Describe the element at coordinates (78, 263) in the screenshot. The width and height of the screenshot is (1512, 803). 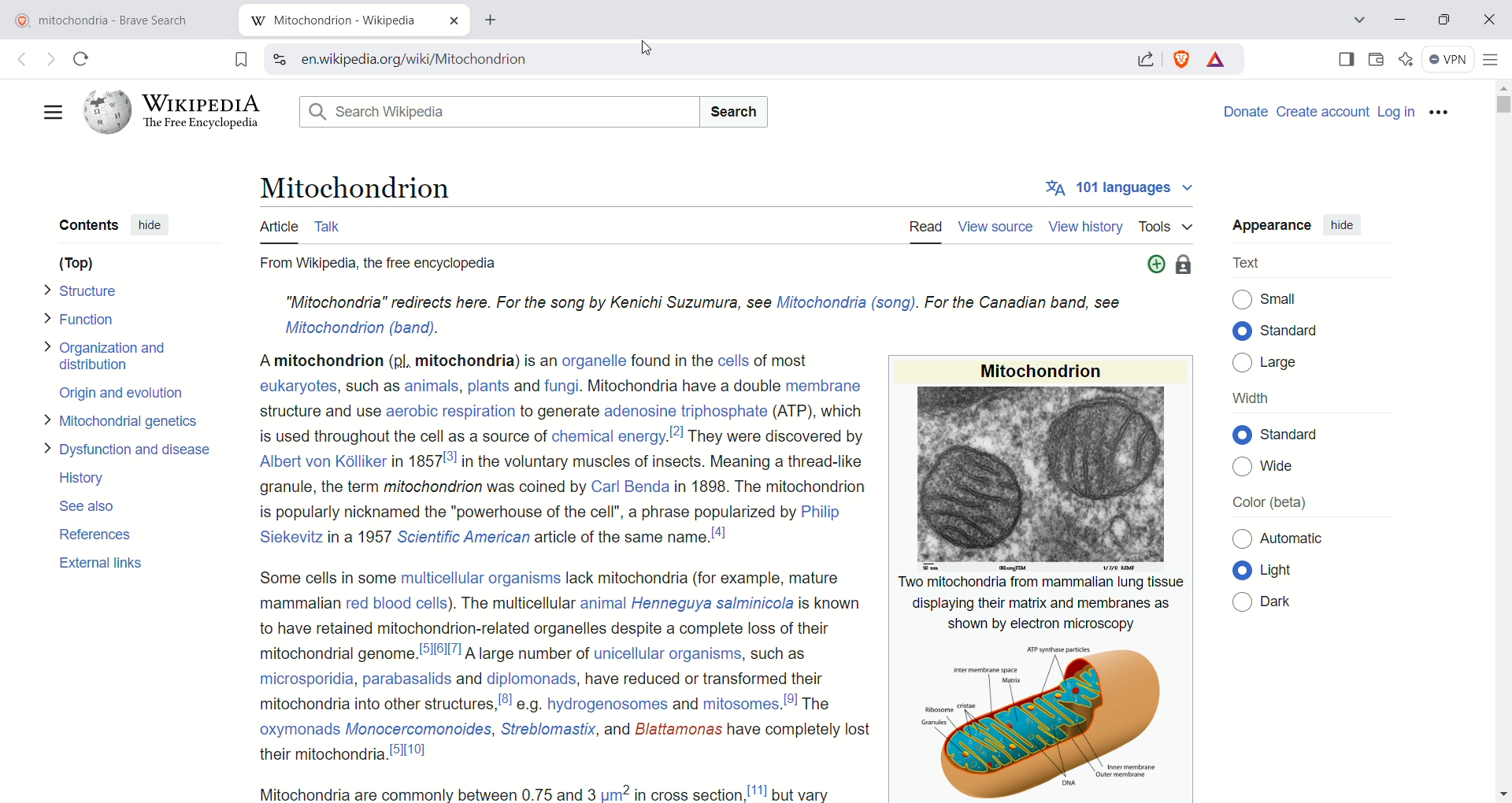
I see `(Top)` at that location.